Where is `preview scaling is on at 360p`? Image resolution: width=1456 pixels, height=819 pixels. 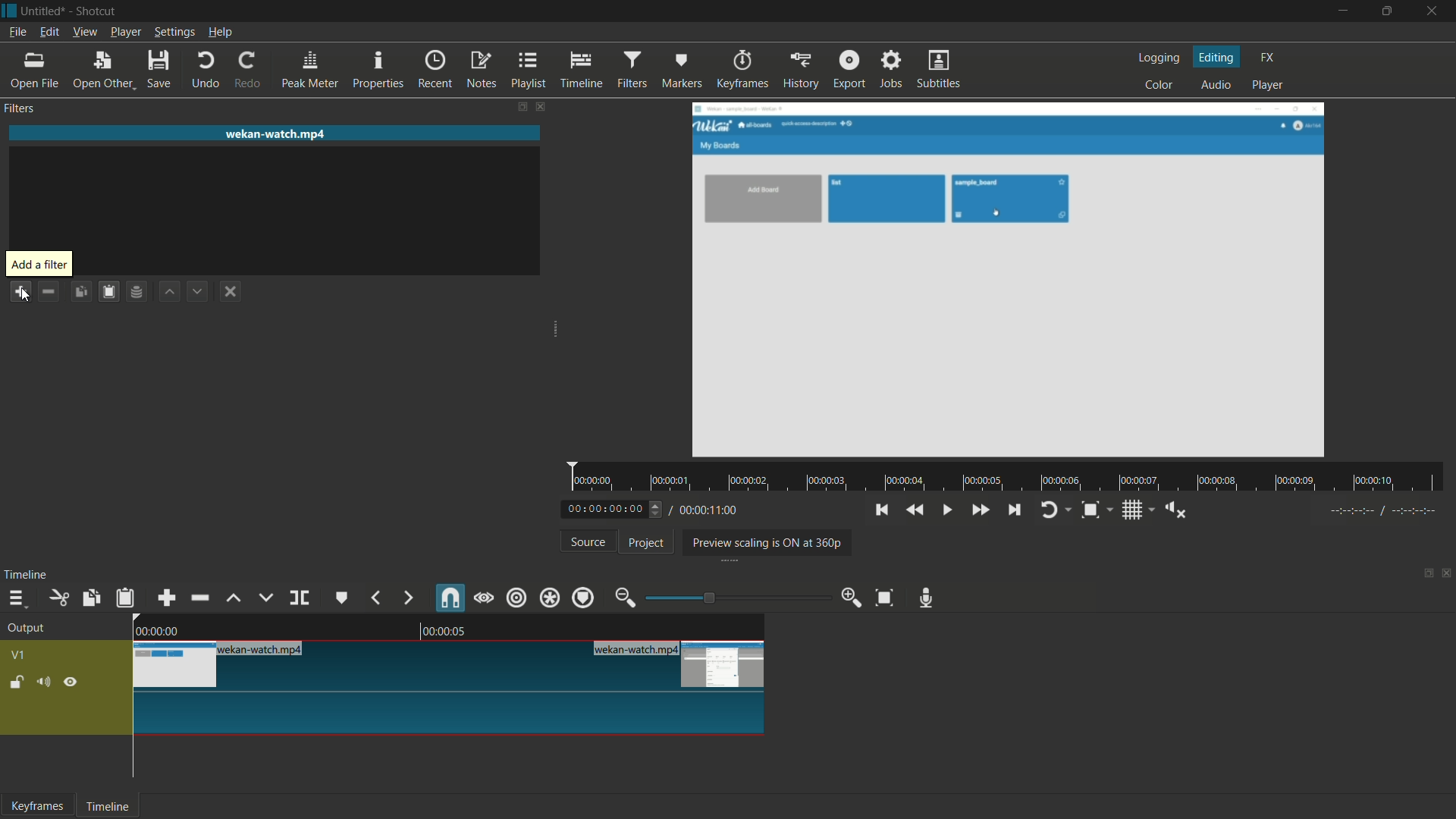
preview scaling is on at 360p is located at coordinates (767, 541).